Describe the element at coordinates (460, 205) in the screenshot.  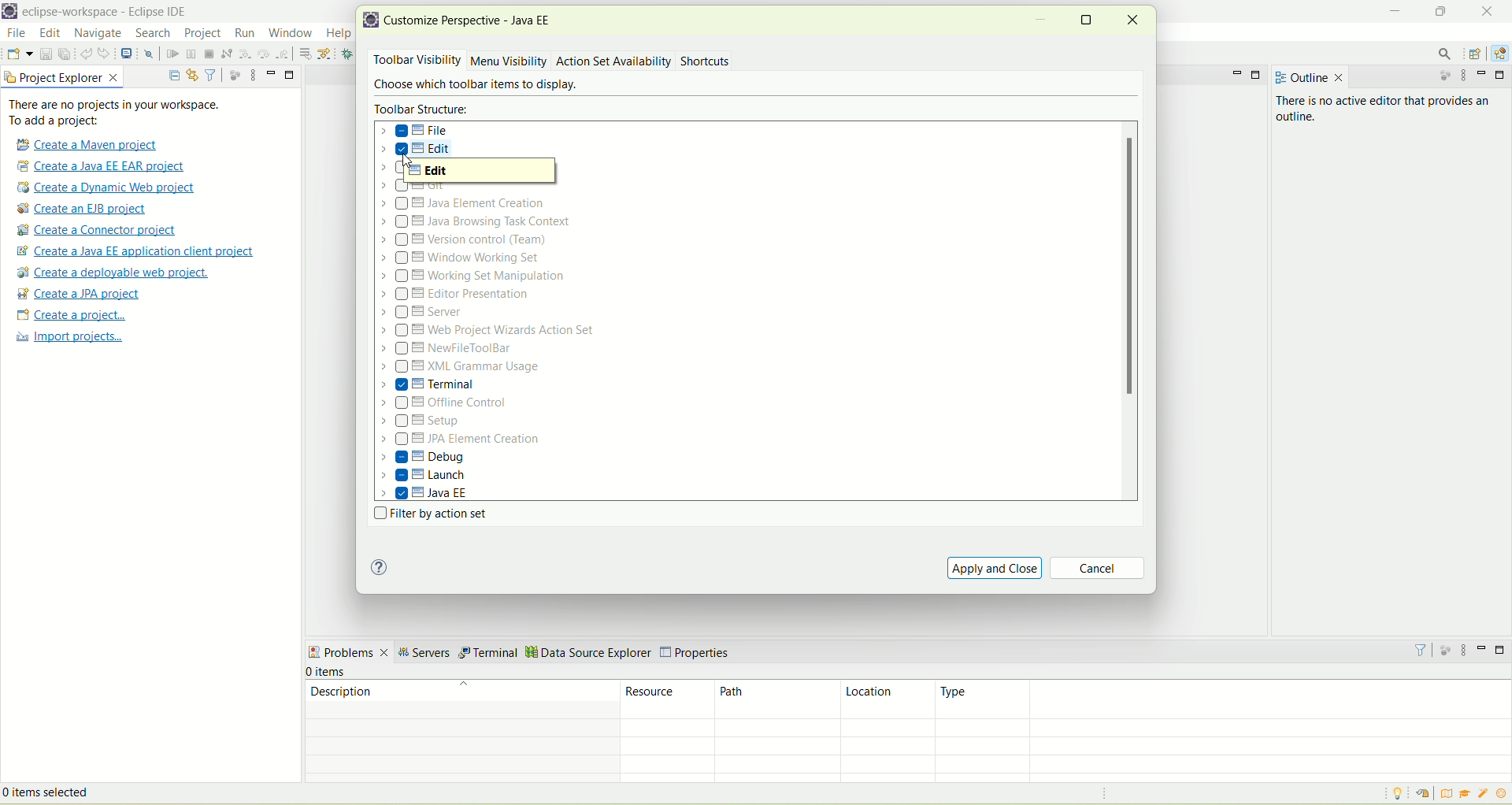
I see `Java element creator` at that location.